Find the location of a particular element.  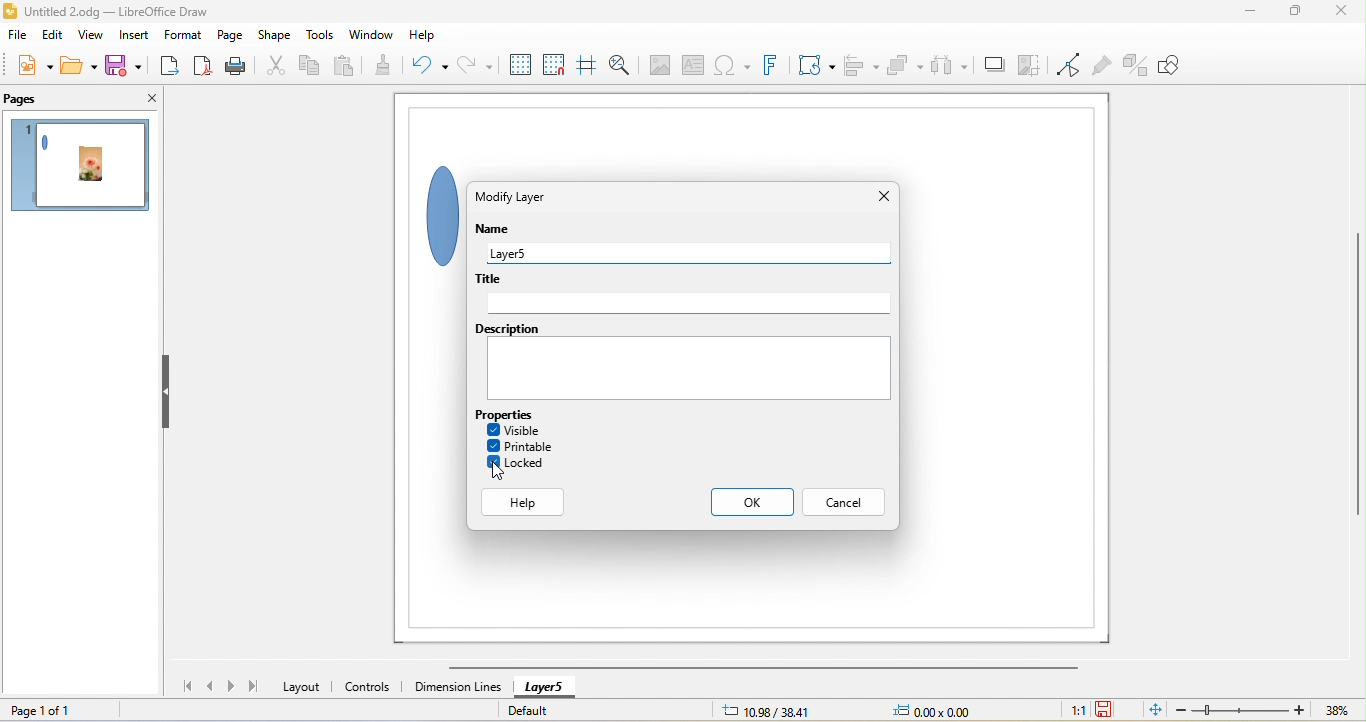

zoom in is located at coordinates (1300, 709).